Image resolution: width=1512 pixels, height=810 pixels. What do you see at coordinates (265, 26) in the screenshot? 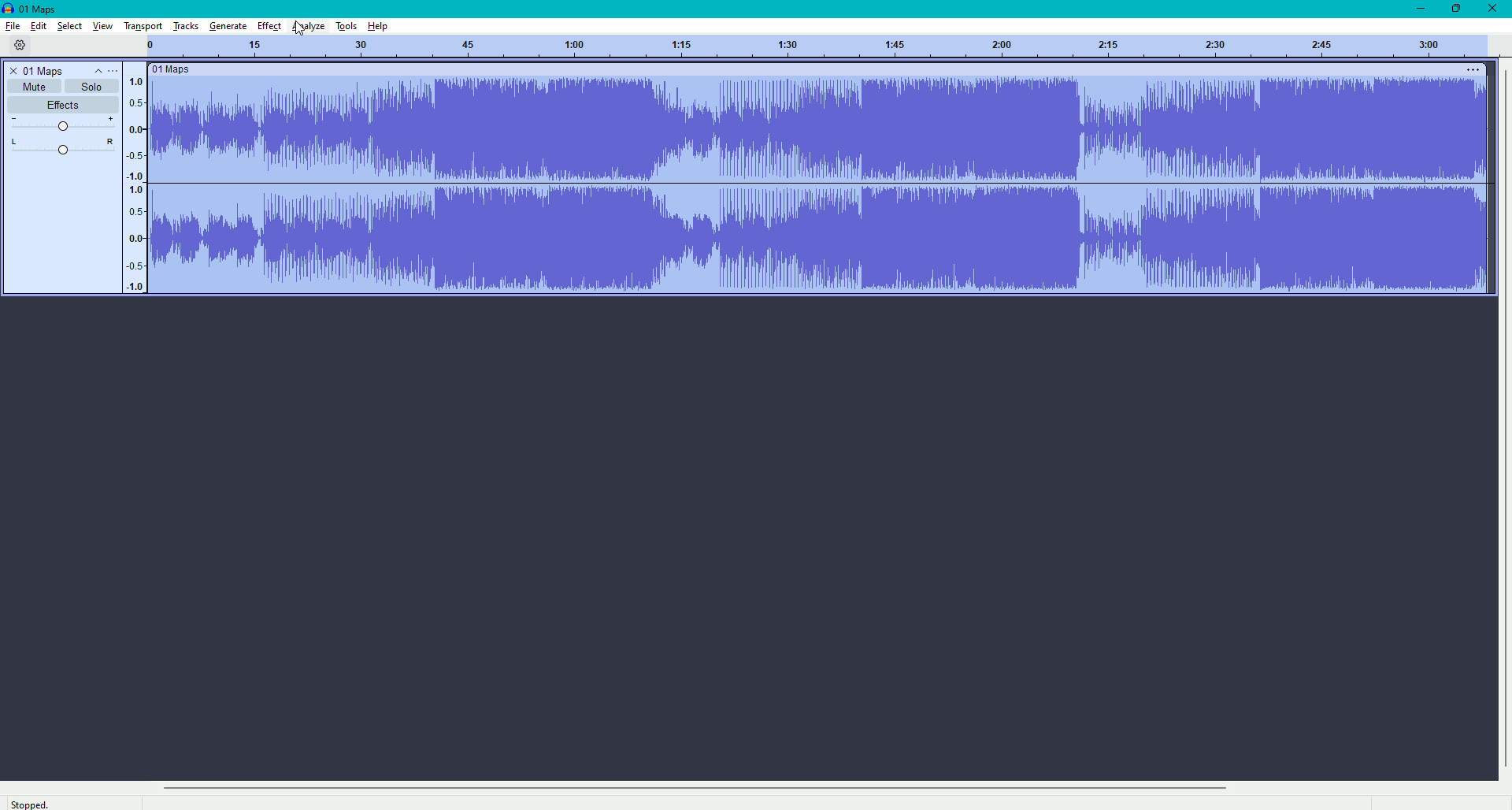
I see `Effect` at bounding box center [265, 26].